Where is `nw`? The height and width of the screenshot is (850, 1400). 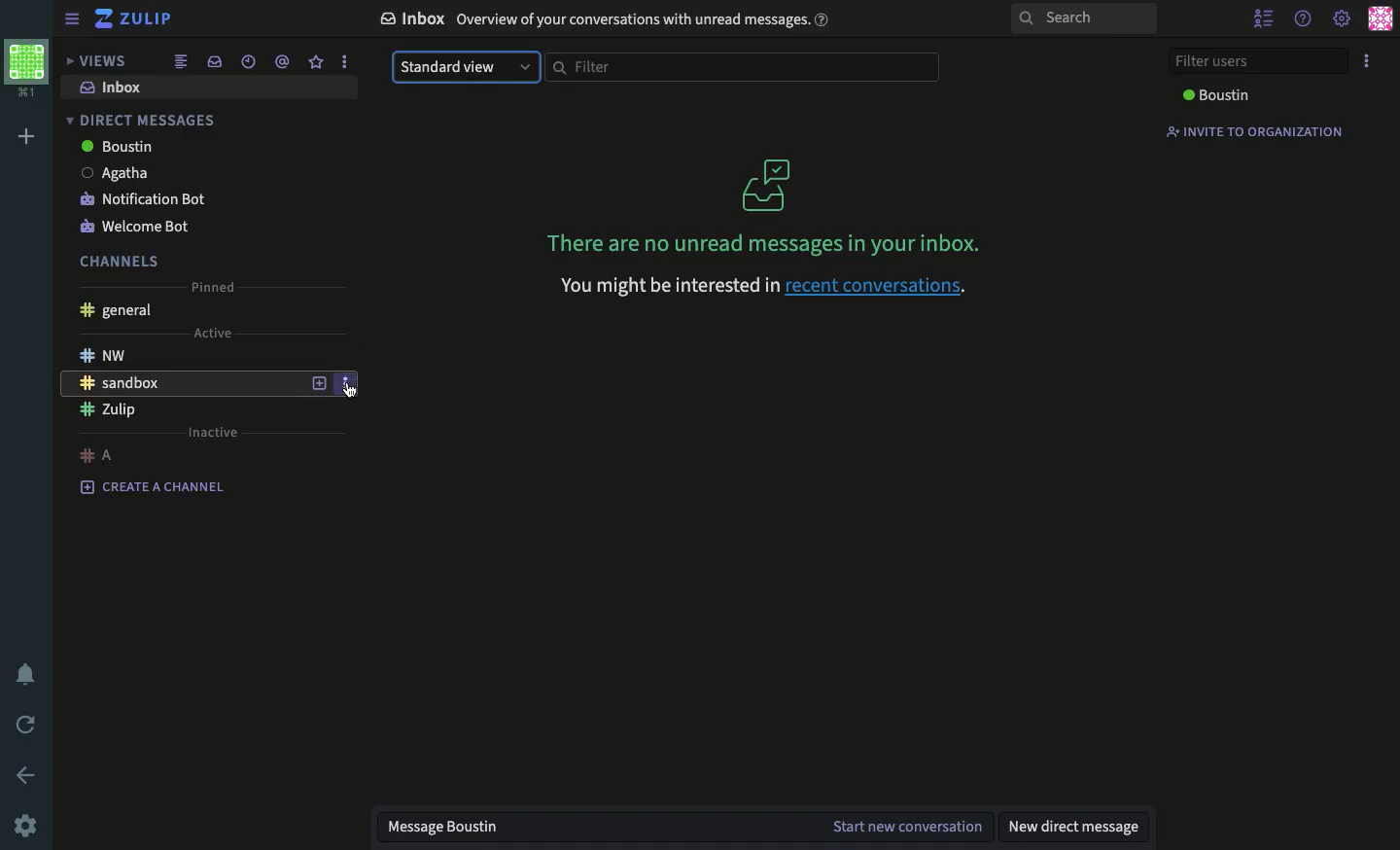 nw is located at coordinates (105, 353).